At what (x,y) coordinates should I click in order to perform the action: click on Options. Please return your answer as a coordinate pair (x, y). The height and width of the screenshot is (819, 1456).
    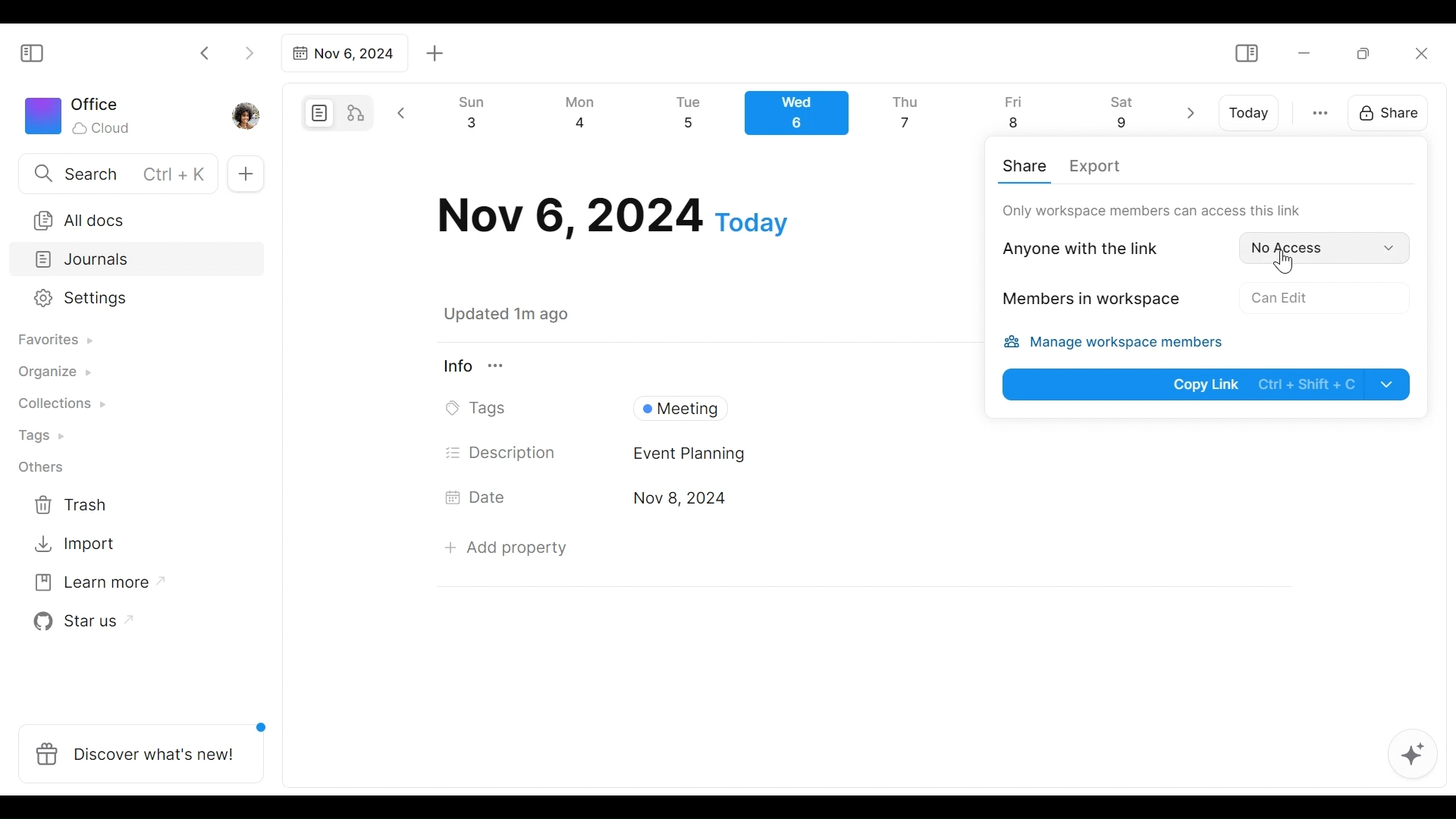
    Looking at the image, I should click on (1282, 296).